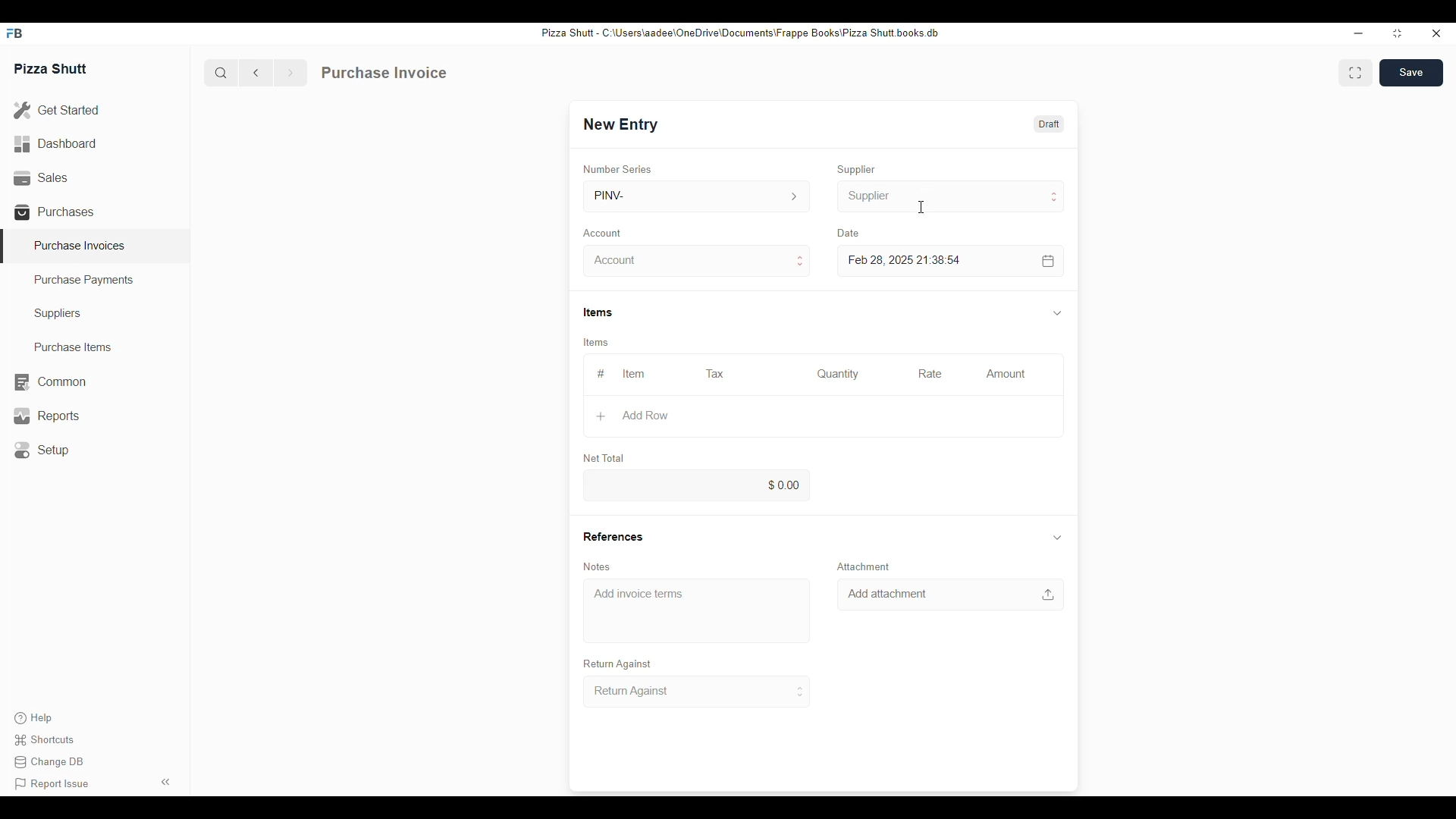 The height and width of the screenshot is (819, 1456). What do you see at coordinates (597, 344) in the screenshot?
I see `Items` at bounding box center [597, 344].